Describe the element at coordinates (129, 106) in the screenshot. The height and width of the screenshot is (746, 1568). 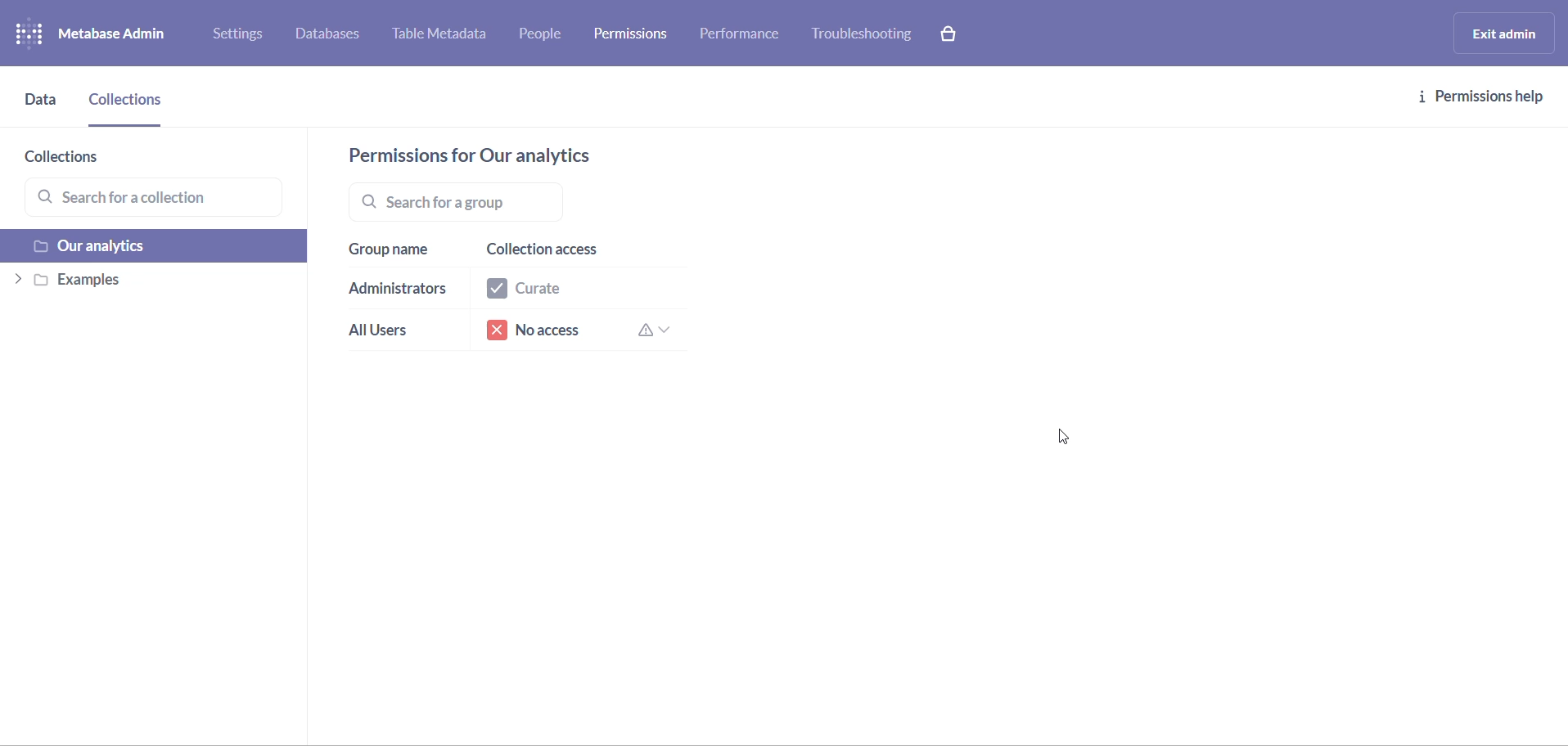
I see `colletions` at that location.